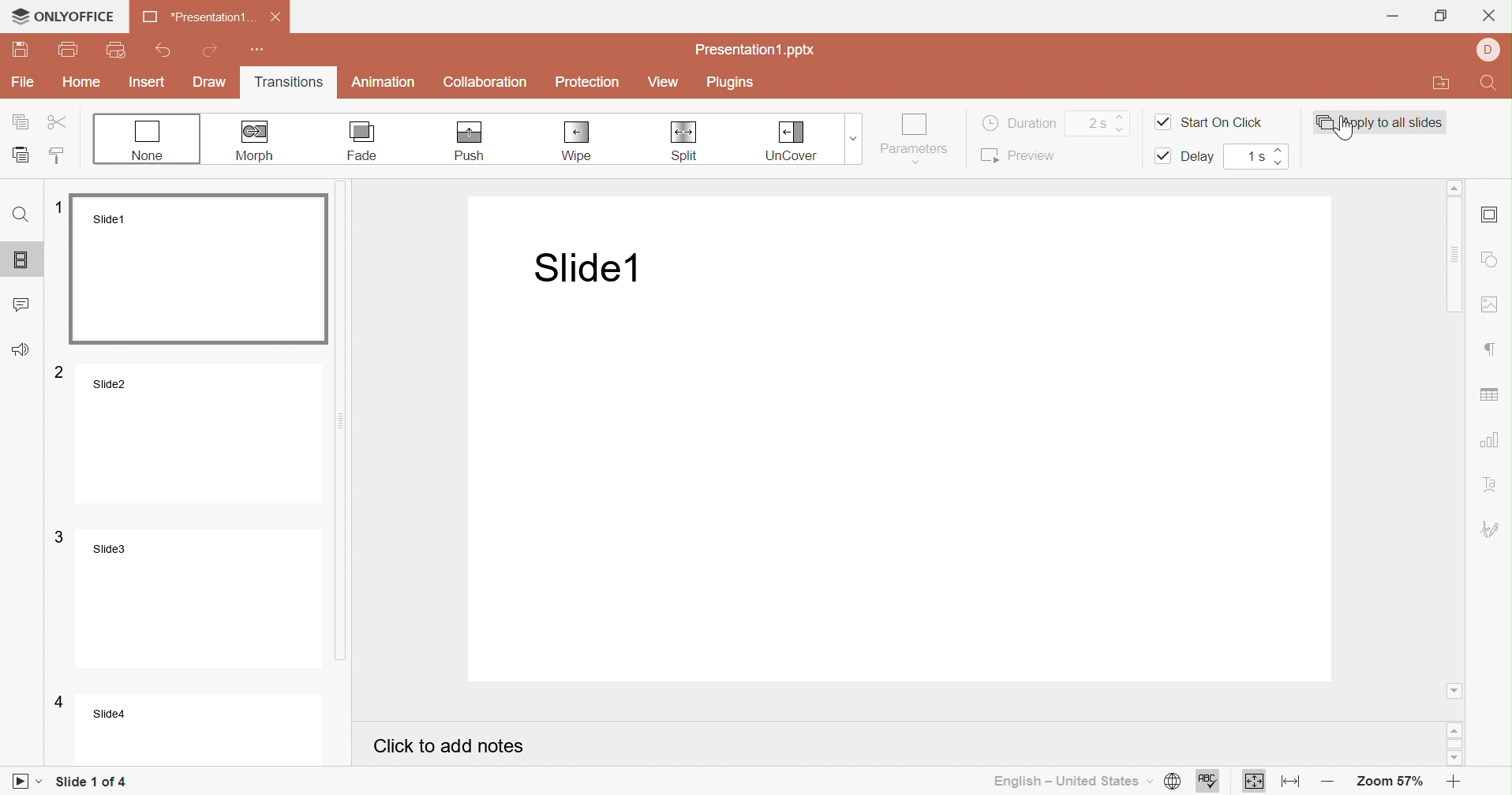 The height and width of the screenshot is (795, 1512). What do you see at coordinates (1492, 391) in the screenshot?
I see `Insert chart` at bounding box center [1492, 391].